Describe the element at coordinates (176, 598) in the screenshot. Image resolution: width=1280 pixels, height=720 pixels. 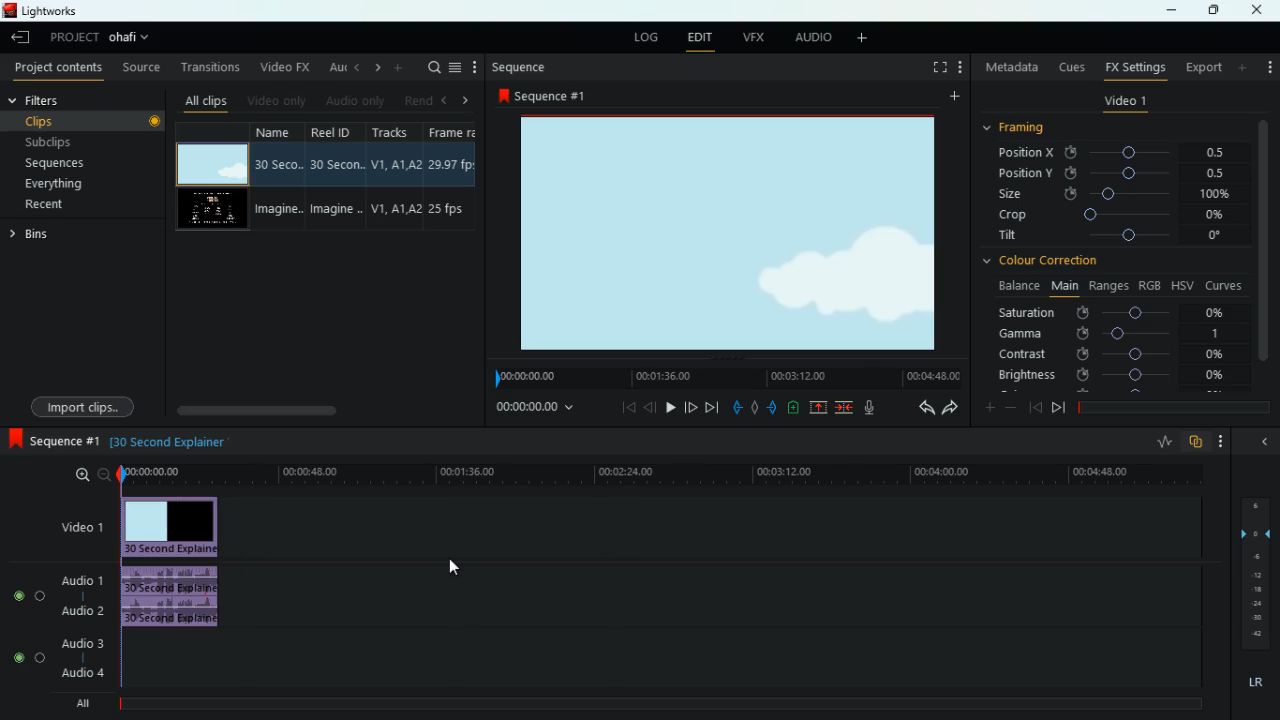
I see `audio` at that location.